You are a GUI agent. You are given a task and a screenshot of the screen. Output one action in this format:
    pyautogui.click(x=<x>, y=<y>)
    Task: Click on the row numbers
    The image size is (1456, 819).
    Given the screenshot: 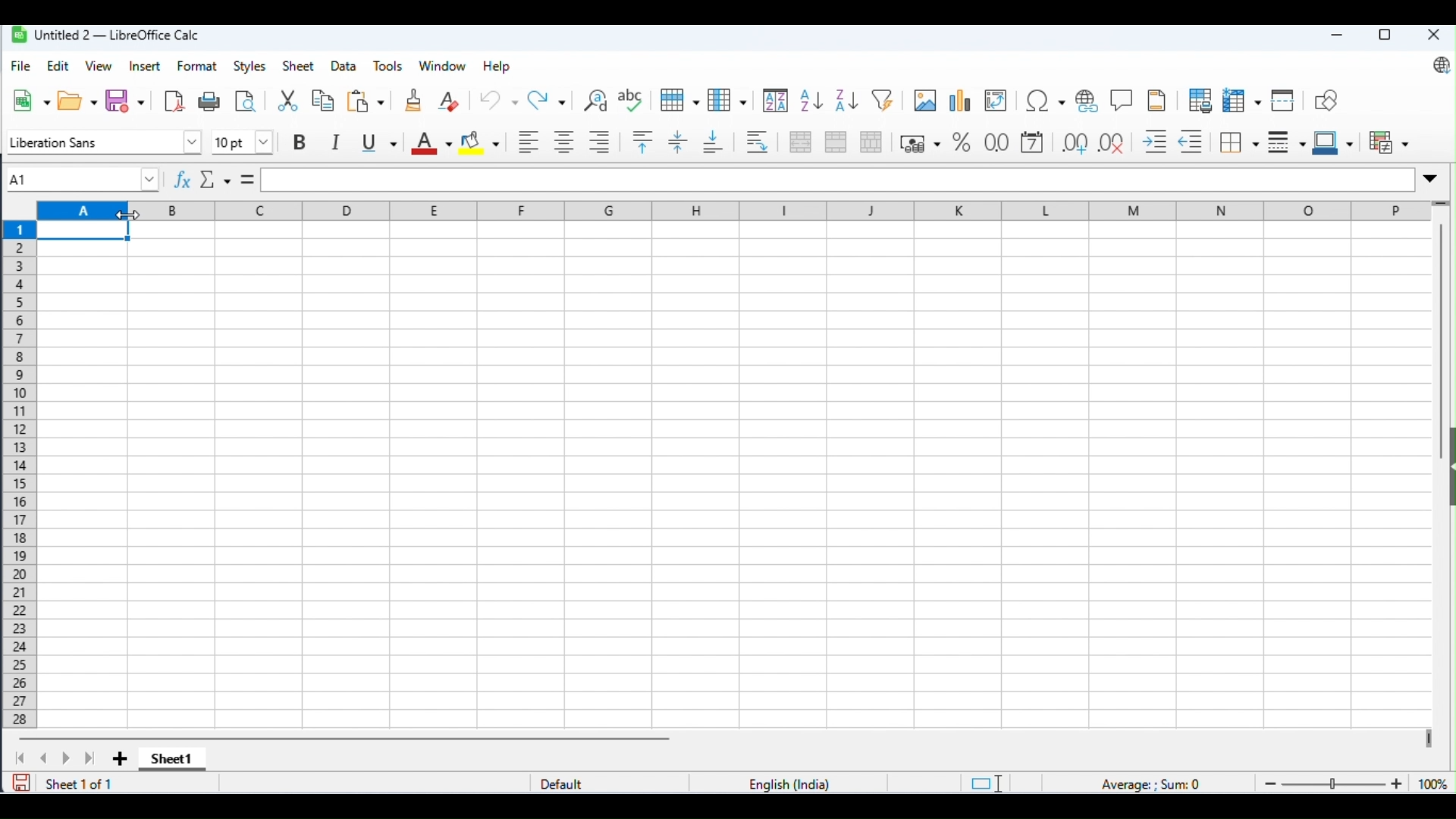 What is the action you would take?
    pyautogui.click(x=18, y=474)
    